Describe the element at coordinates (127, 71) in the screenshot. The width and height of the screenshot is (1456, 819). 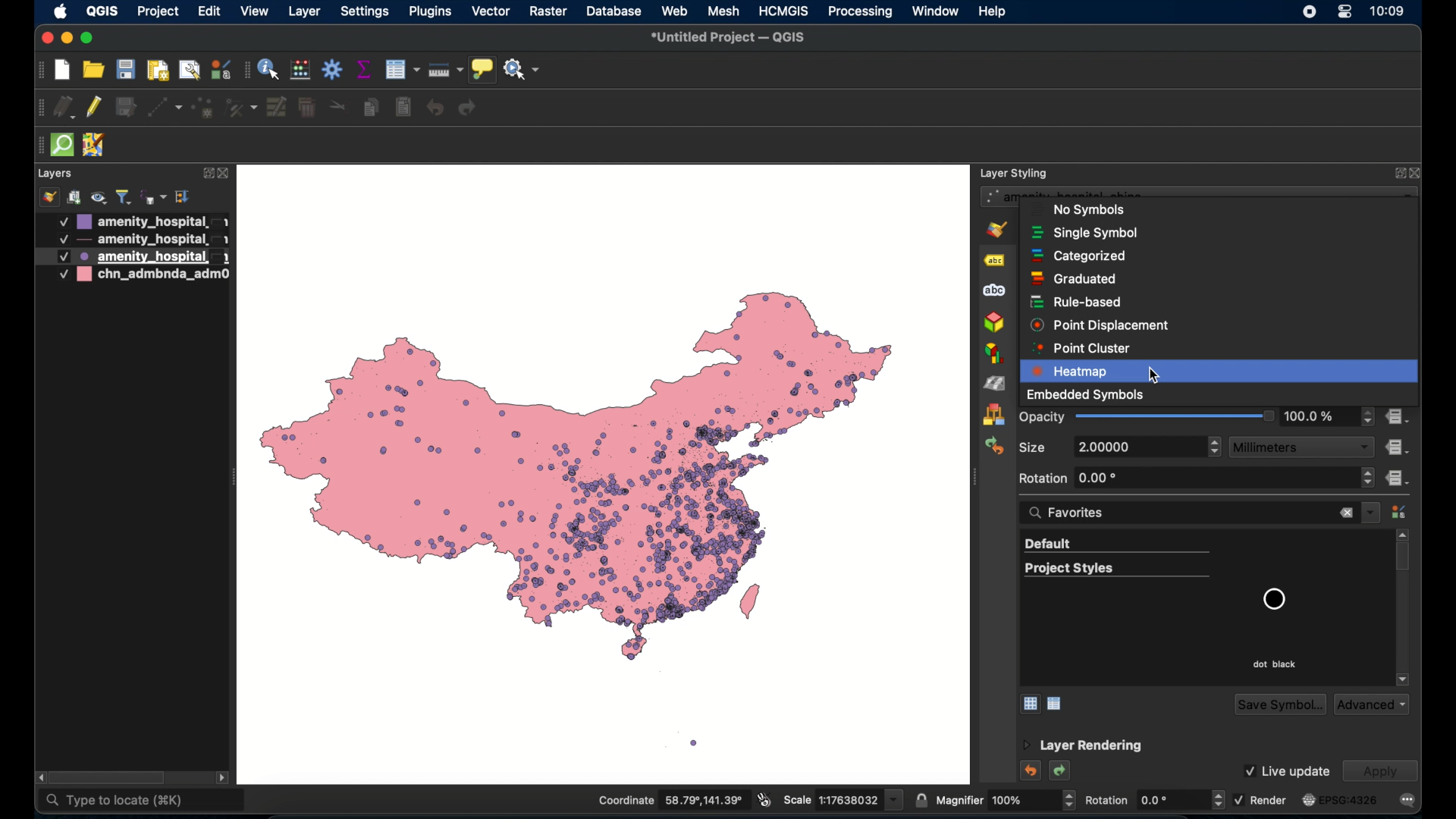
I see `save project` at that location.